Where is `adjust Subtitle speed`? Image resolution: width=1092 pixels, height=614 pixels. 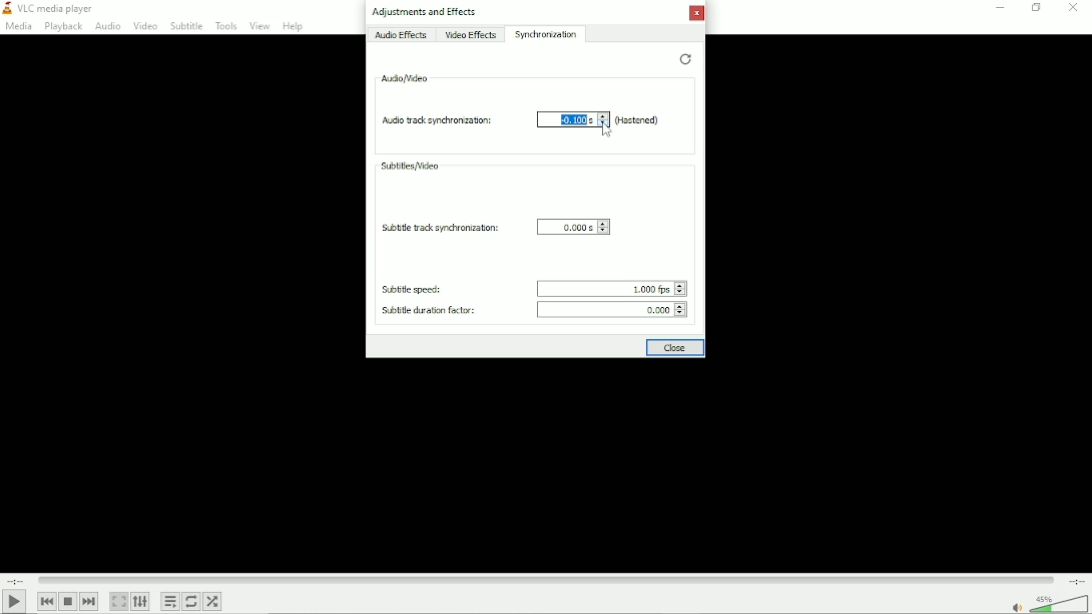
adjust Subtitle speed is located at coordinates (681, 289).